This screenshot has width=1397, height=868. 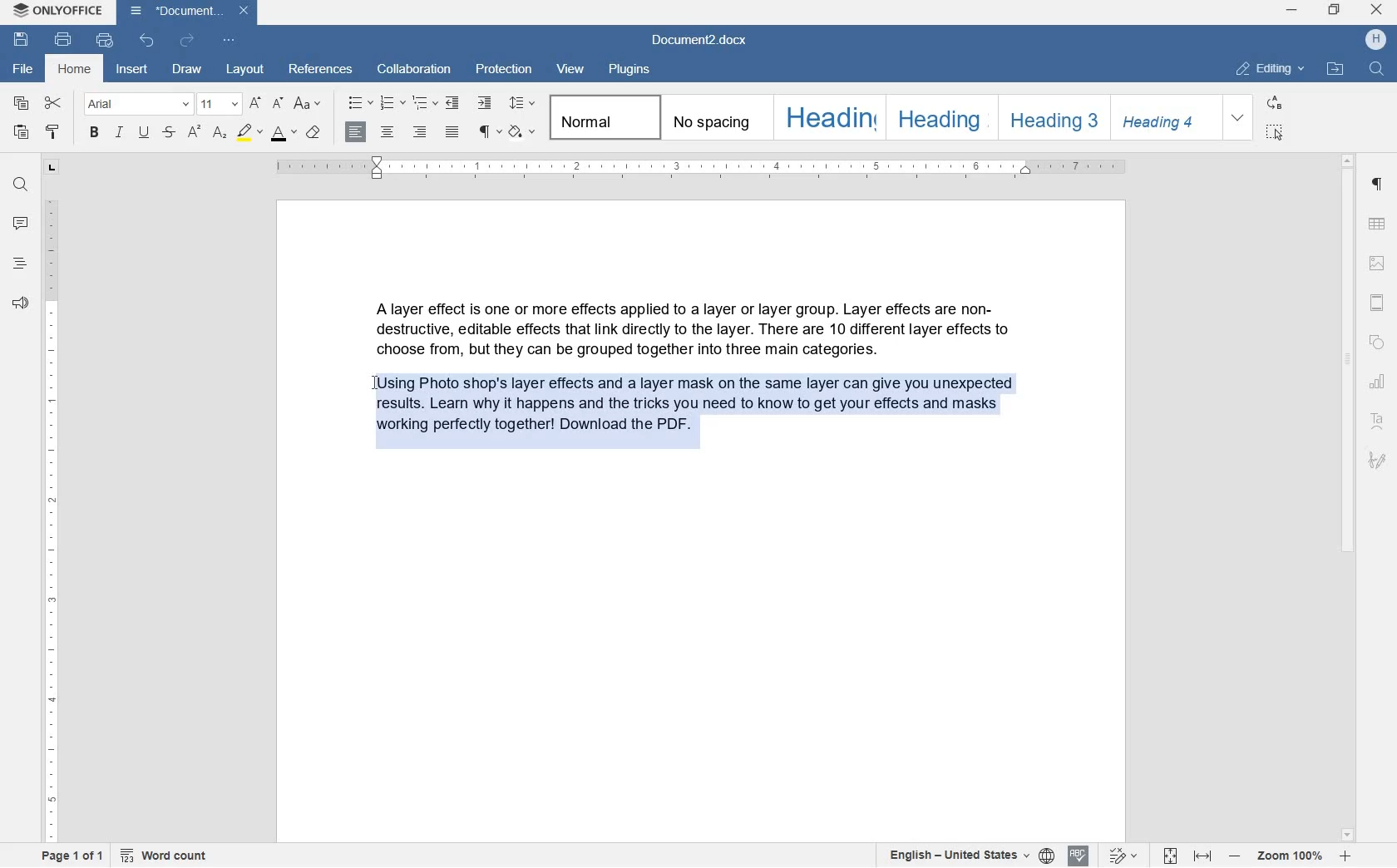 I want to click on CUT, so click(x=54, y=103).